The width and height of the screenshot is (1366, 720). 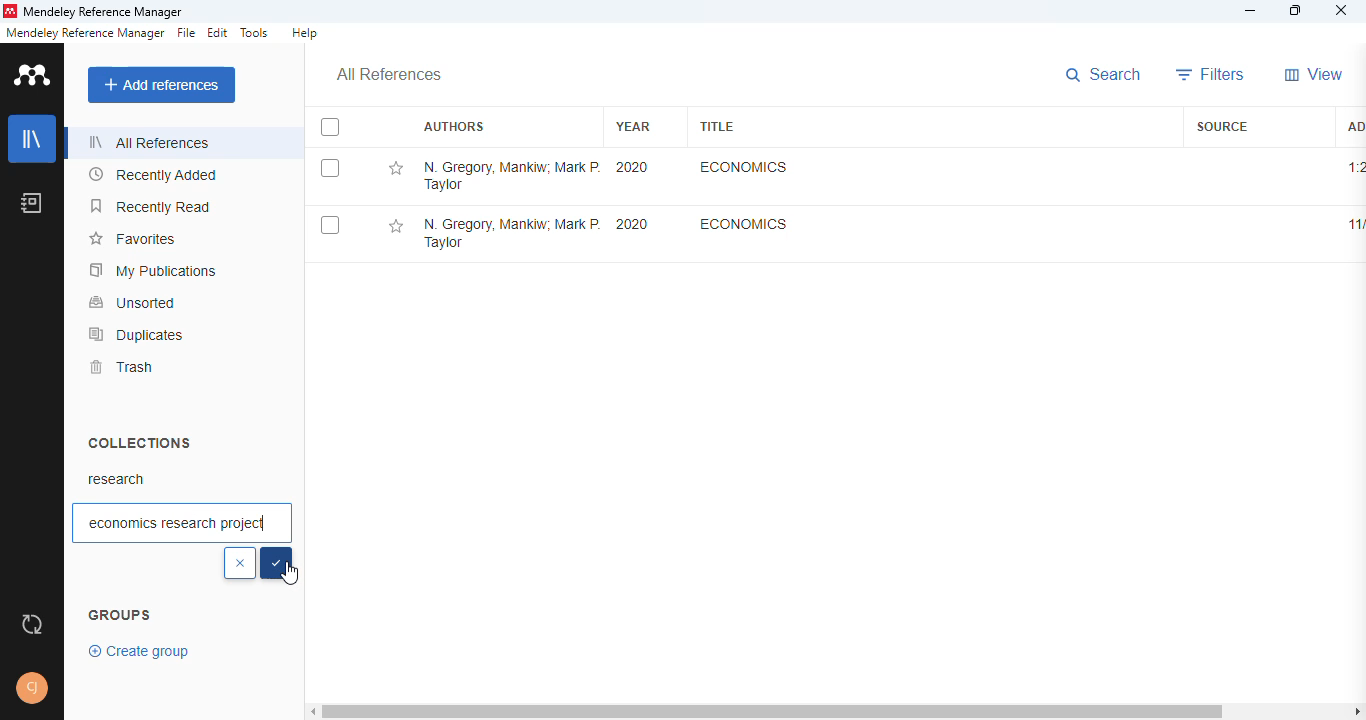 What do you see at coordinates (632, 224) in the screenshot?
I see `2020` at bounding box center [632, 224].